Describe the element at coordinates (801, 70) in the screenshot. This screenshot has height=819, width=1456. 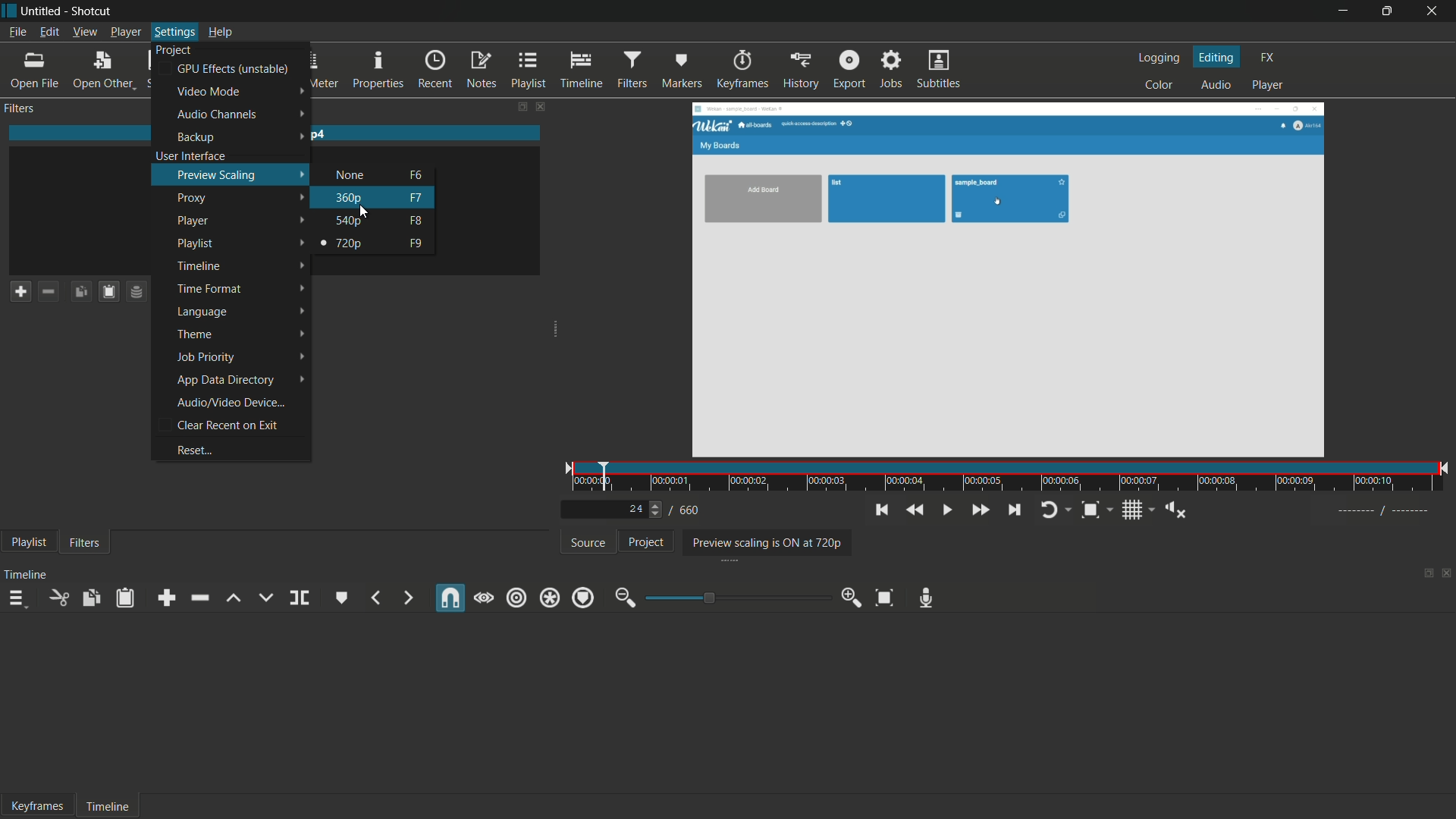
I see `history` at that location.